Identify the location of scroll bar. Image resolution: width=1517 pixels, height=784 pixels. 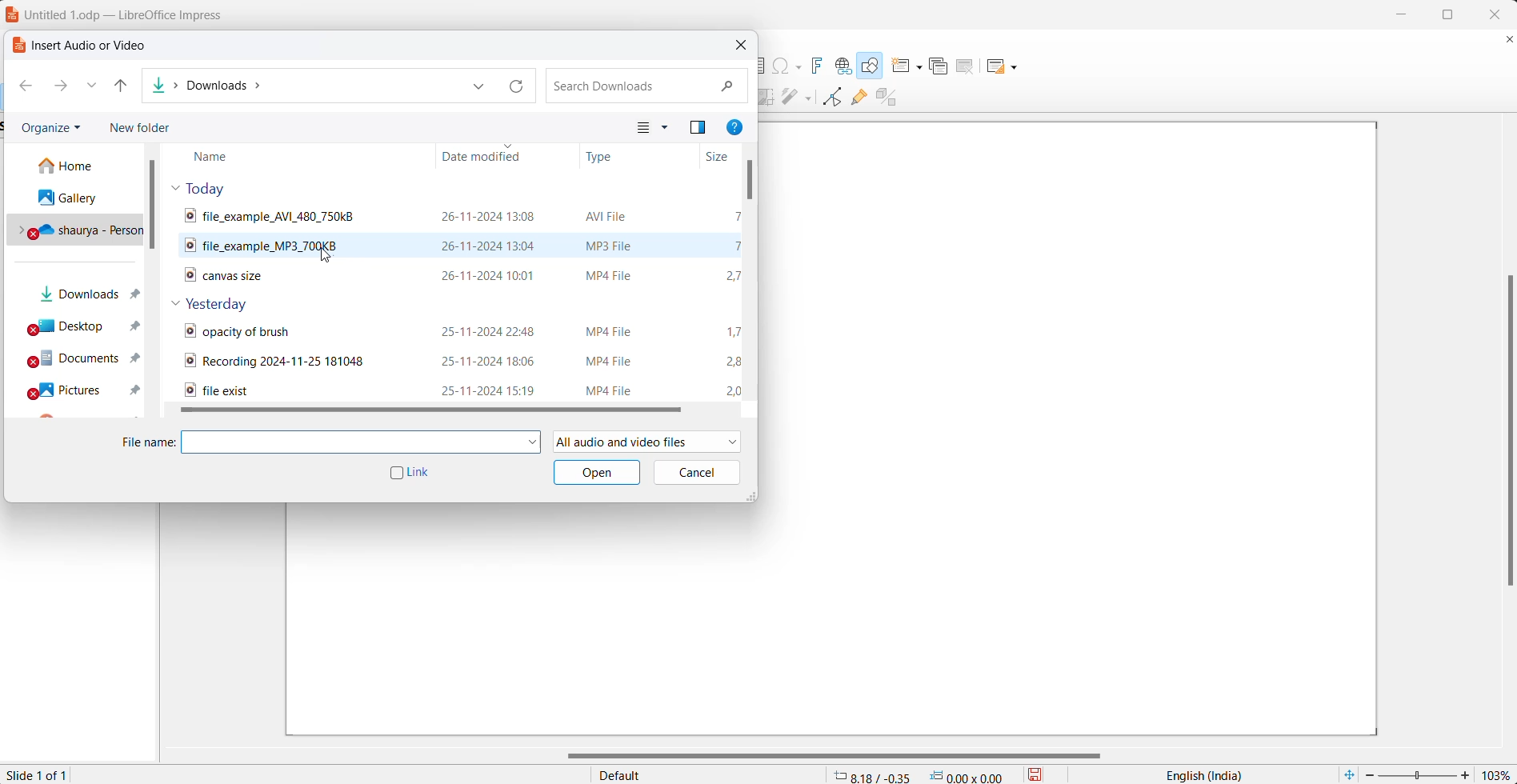
(749, 182).